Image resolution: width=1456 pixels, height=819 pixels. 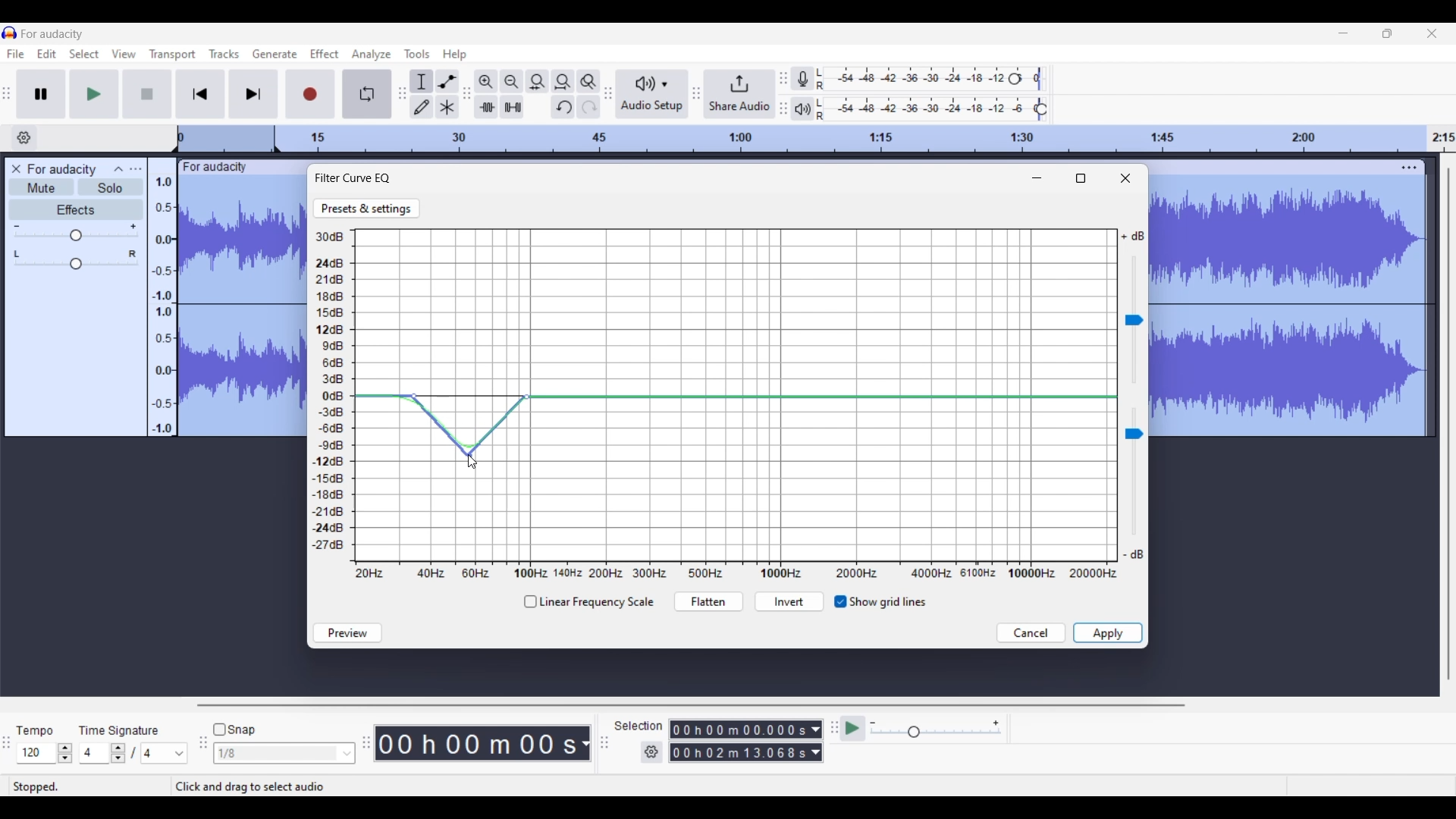 What do you see at coordinates (1132, 237) in the screenshot?
I see `Indicates max. volume` at bounding box center [1132, 237].